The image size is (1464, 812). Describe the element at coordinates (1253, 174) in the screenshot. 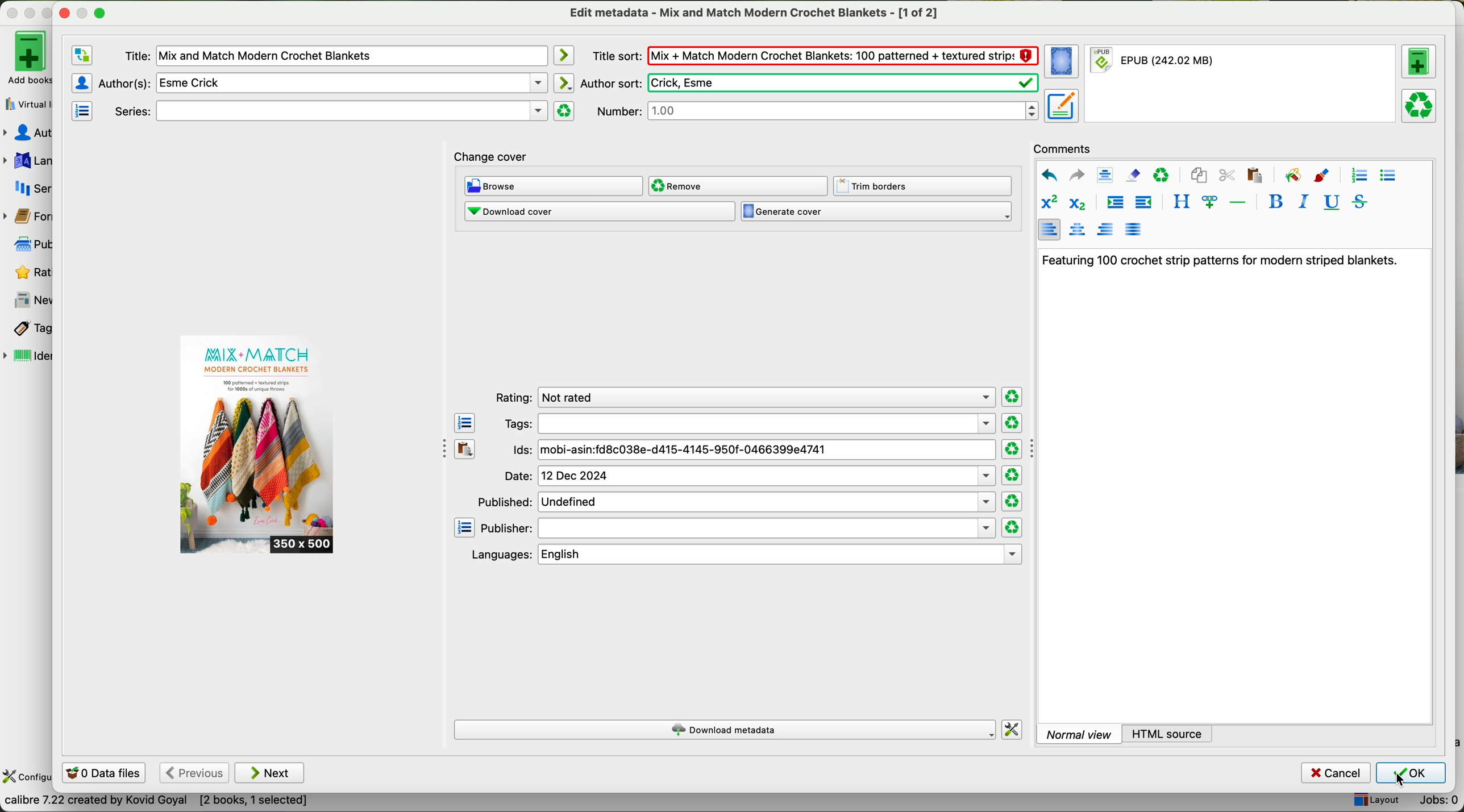

I see `paste` at that location.